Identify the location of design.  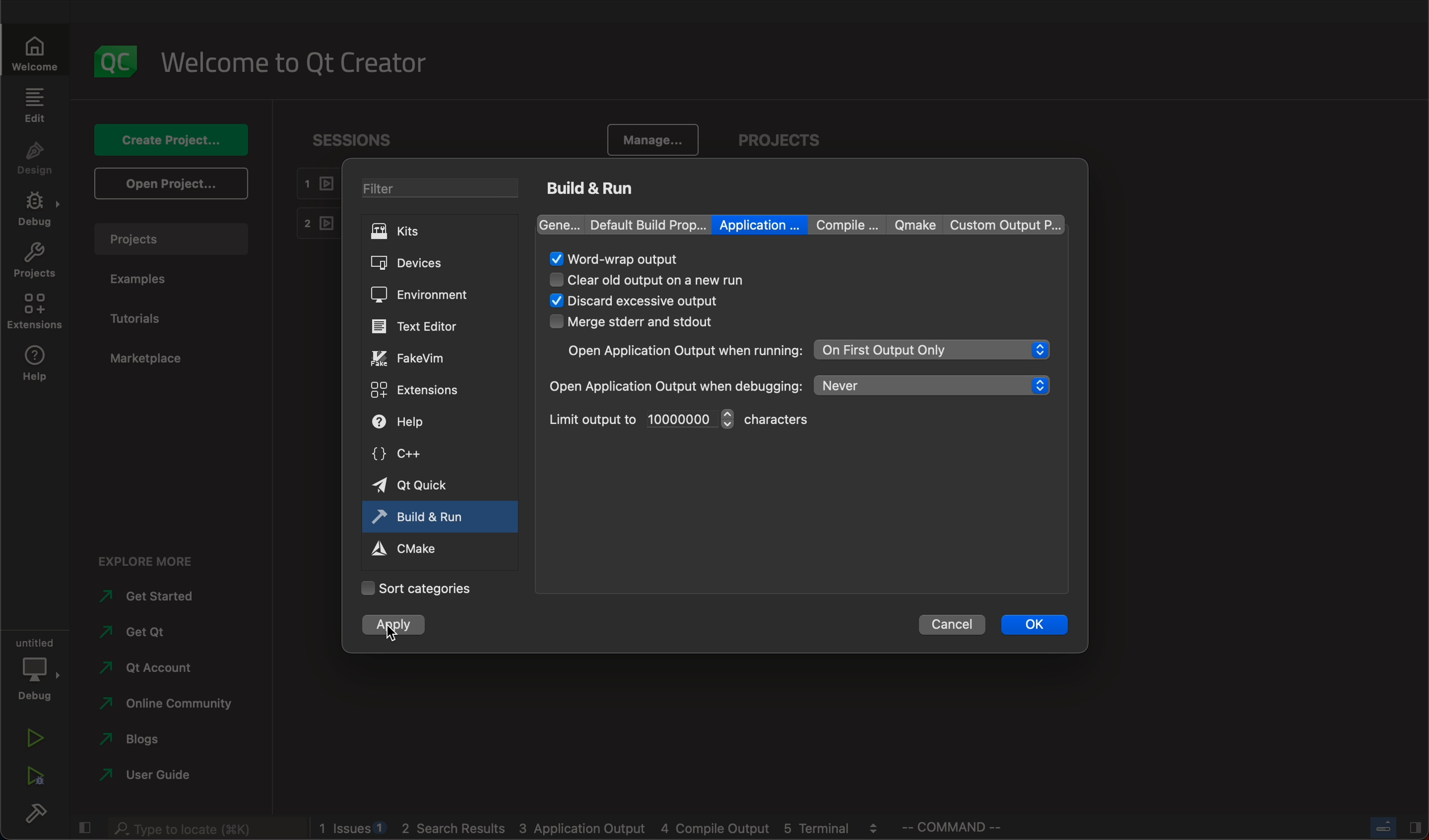
(36, 156).